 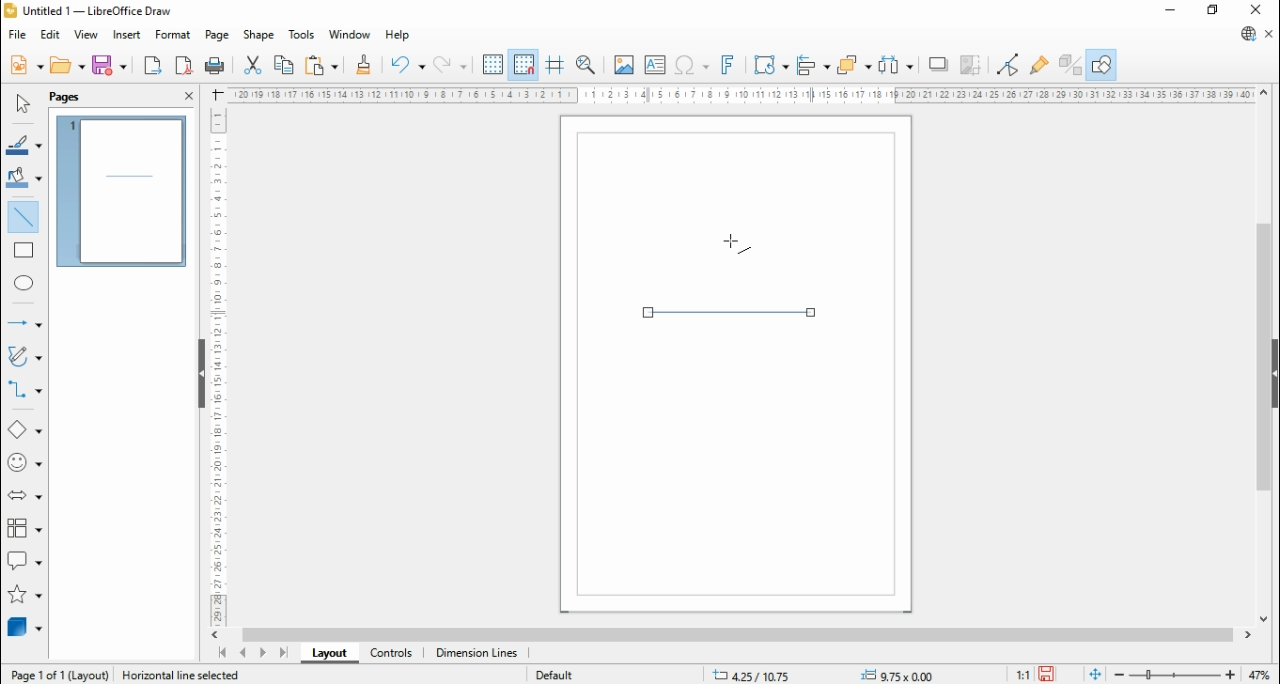 I want to click on lines and arrows, so click(x=22, y=323).